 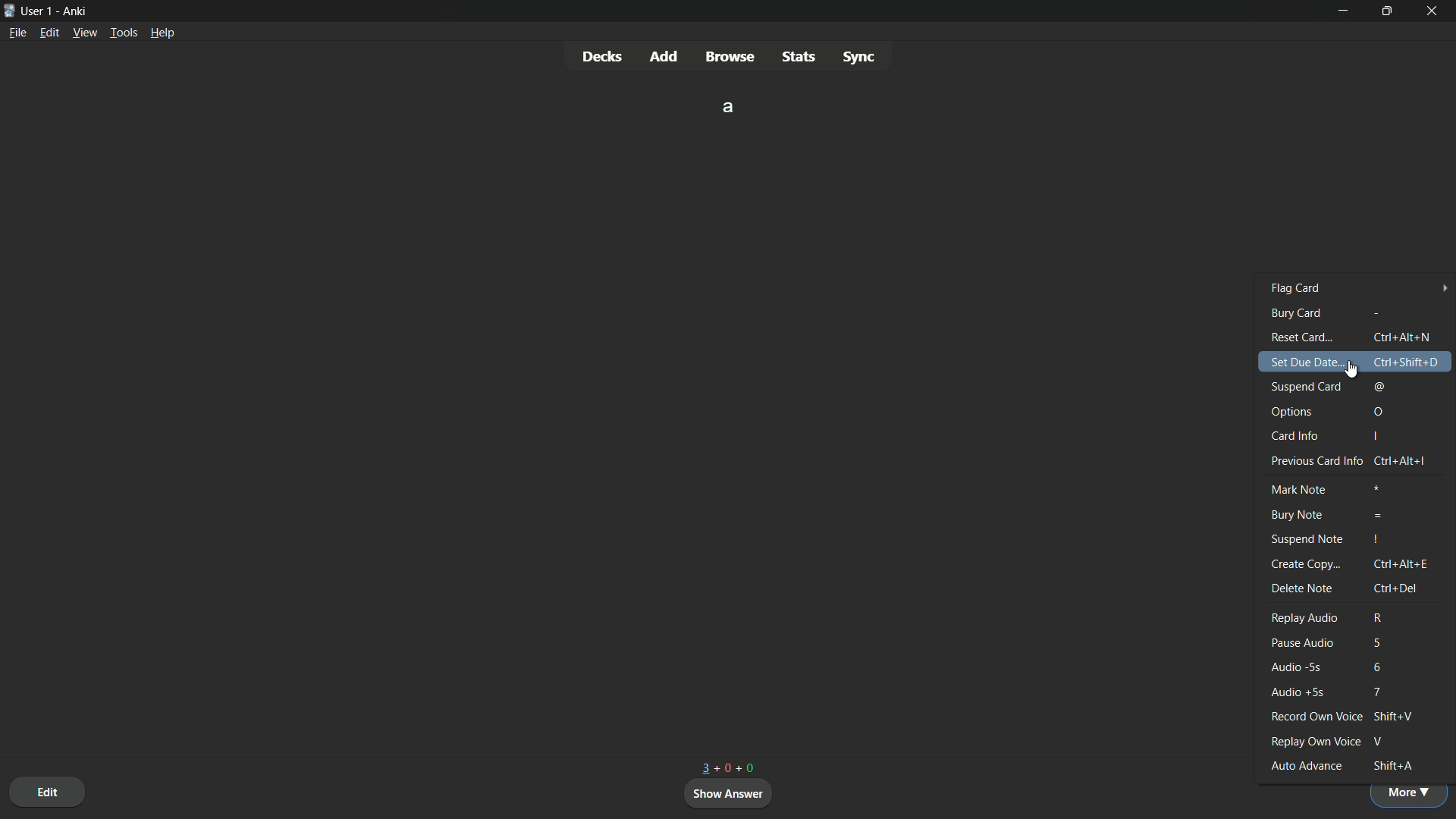 I want to click on options, so click(x=1291, y=412).